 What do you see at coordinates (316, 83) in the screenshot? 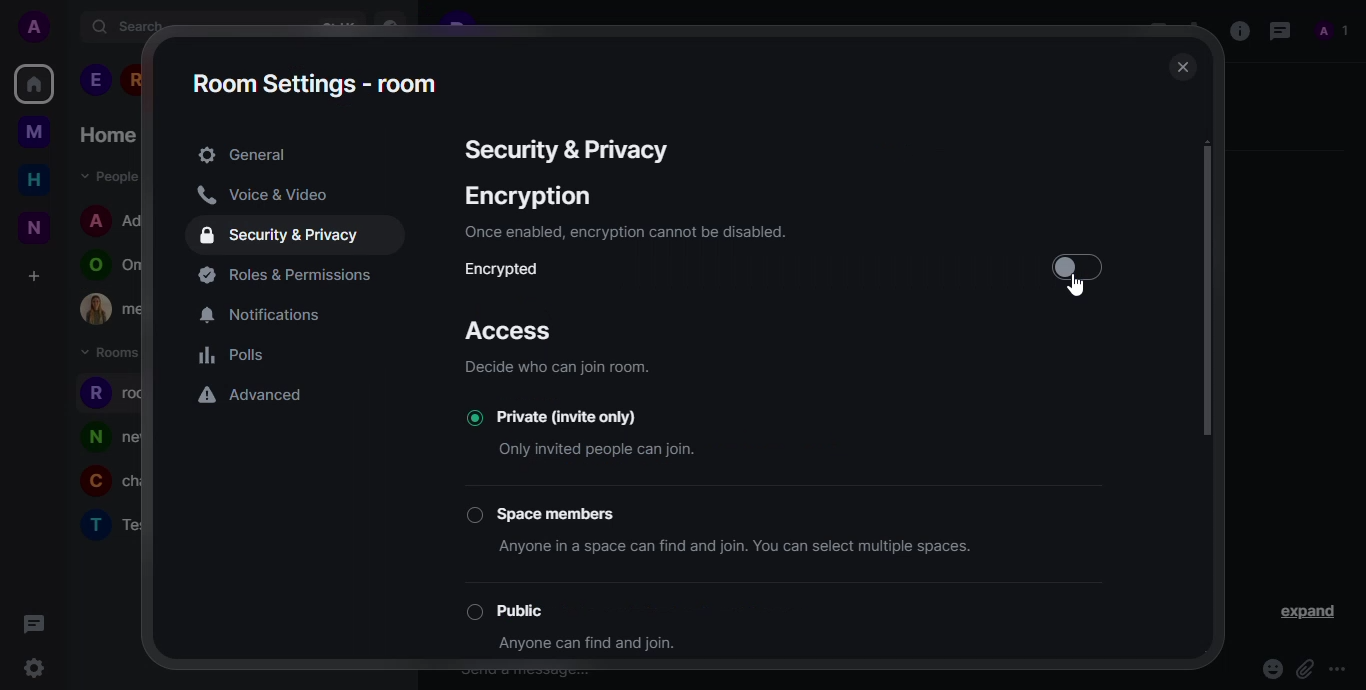
I see `room settings` at bounding box center [316, 83].